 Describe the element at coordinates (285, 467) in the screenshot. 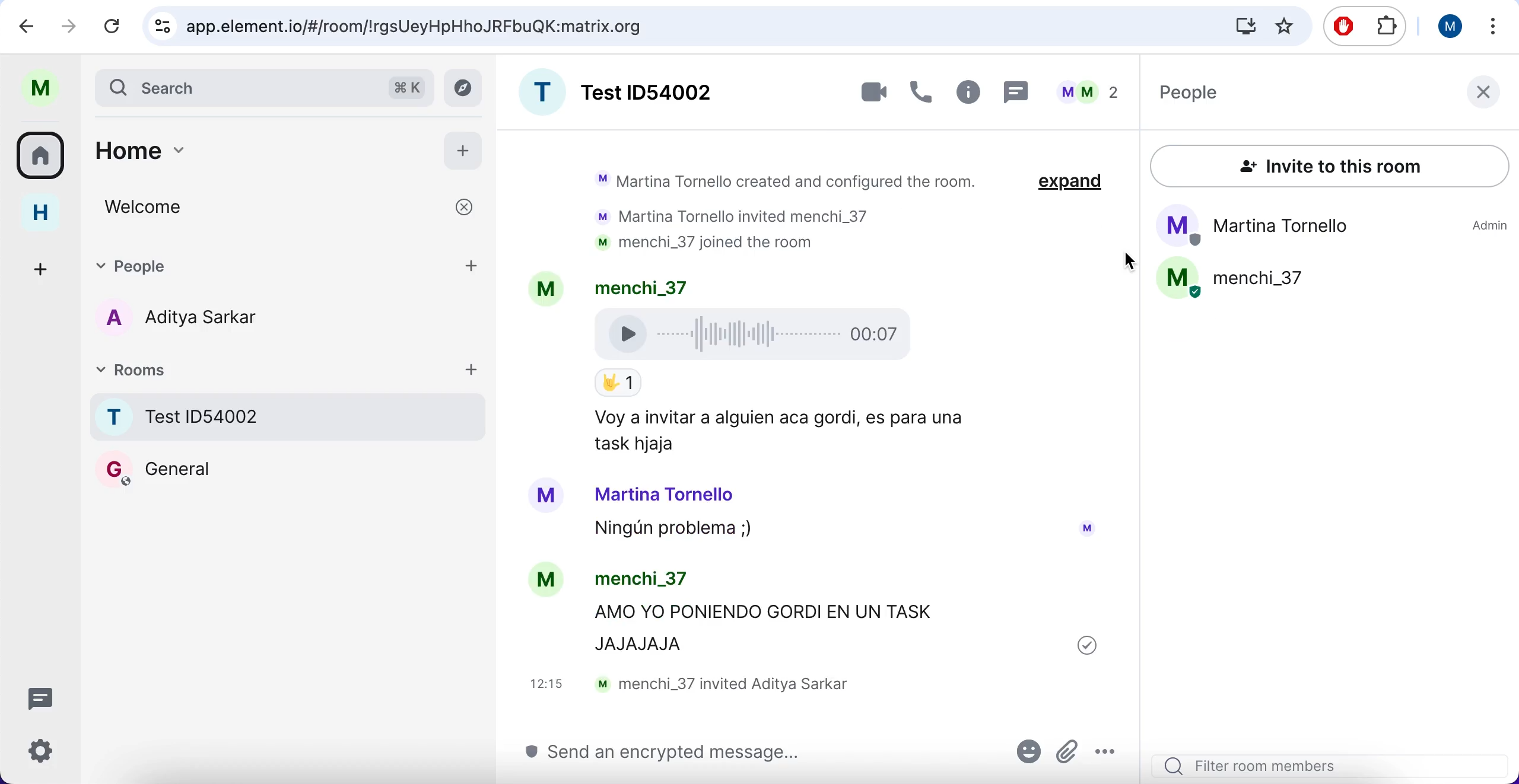

I see `Room` at that location.